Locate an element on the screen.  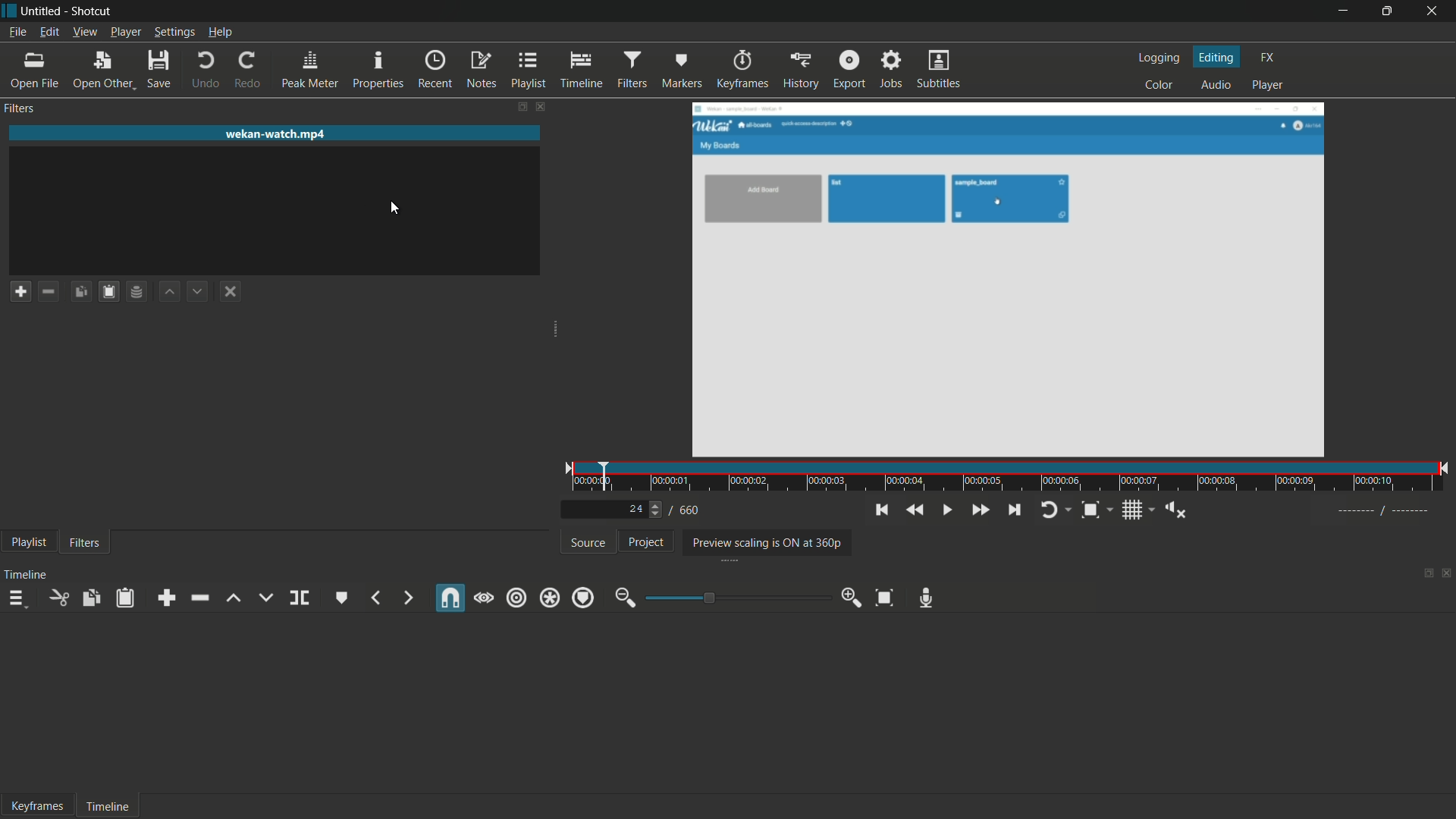
toggle grid is located at coordinates (1132, 511).